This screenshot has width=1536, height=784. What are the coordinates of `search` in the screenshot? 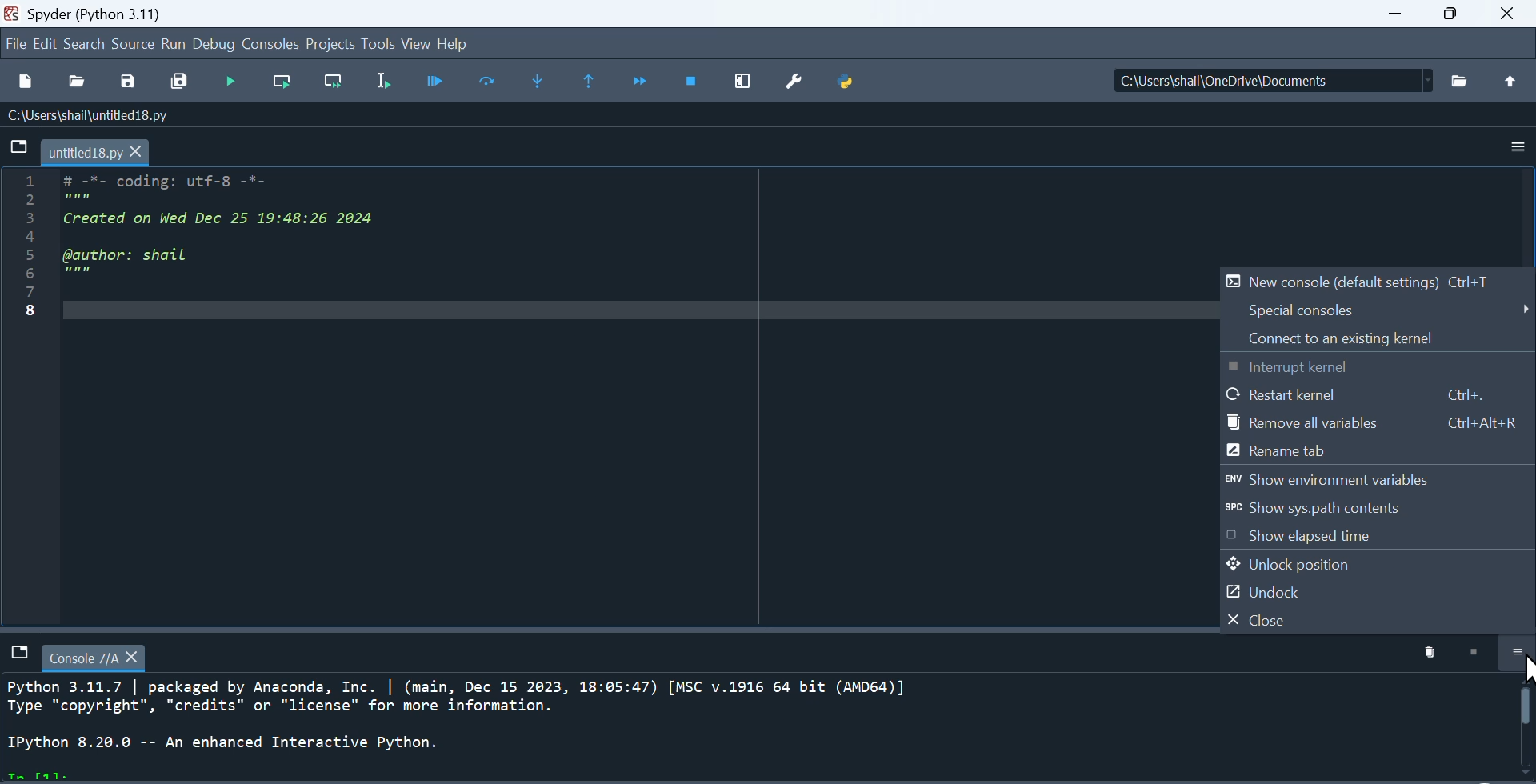 It's located at (86, 46).